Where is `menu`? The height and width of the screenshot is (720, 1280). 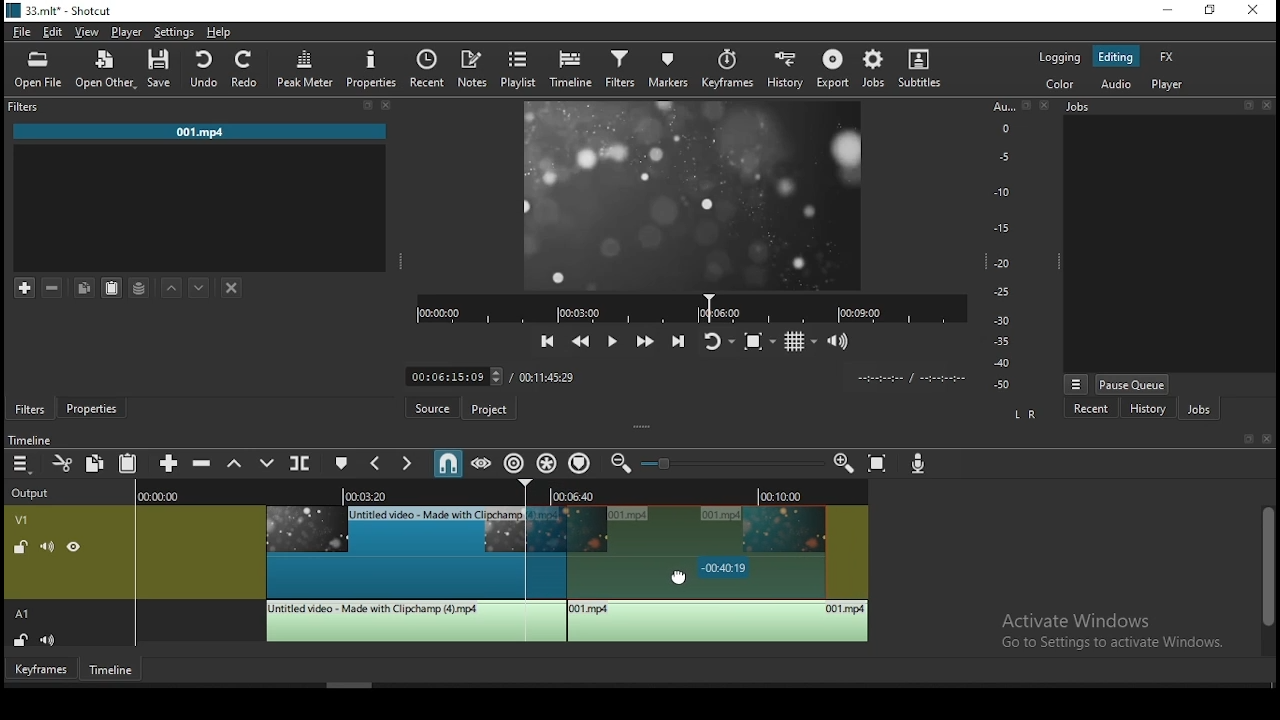
menu is located at coordinates (23, 465).